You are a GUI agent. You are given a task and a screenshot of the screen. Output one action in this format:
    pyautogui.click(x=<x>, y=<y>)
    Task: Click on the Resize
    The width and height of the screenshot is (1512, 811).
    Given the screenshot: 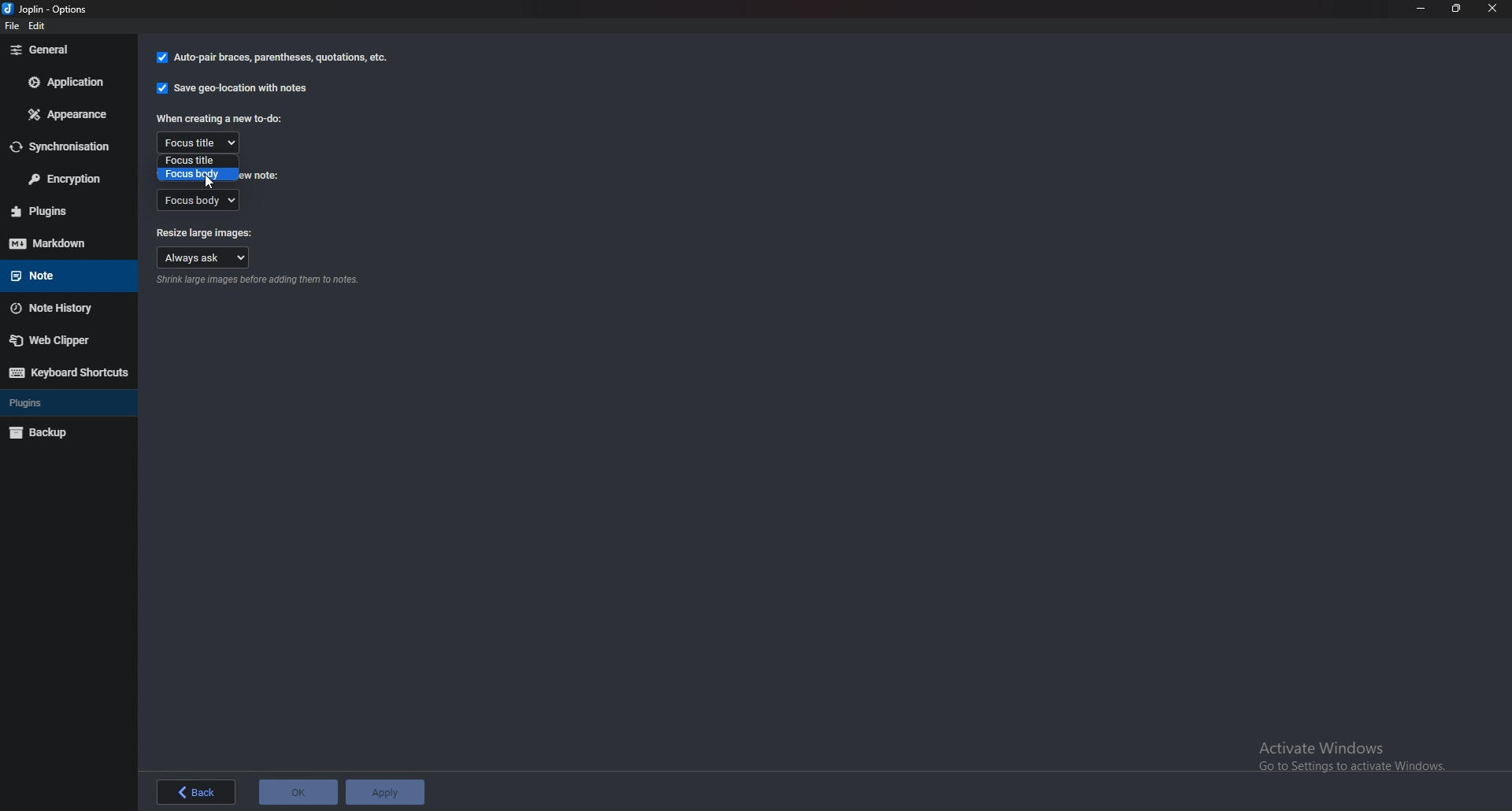 What is the action you would take?
    pyautogui.click(x=1456, y=8)
    